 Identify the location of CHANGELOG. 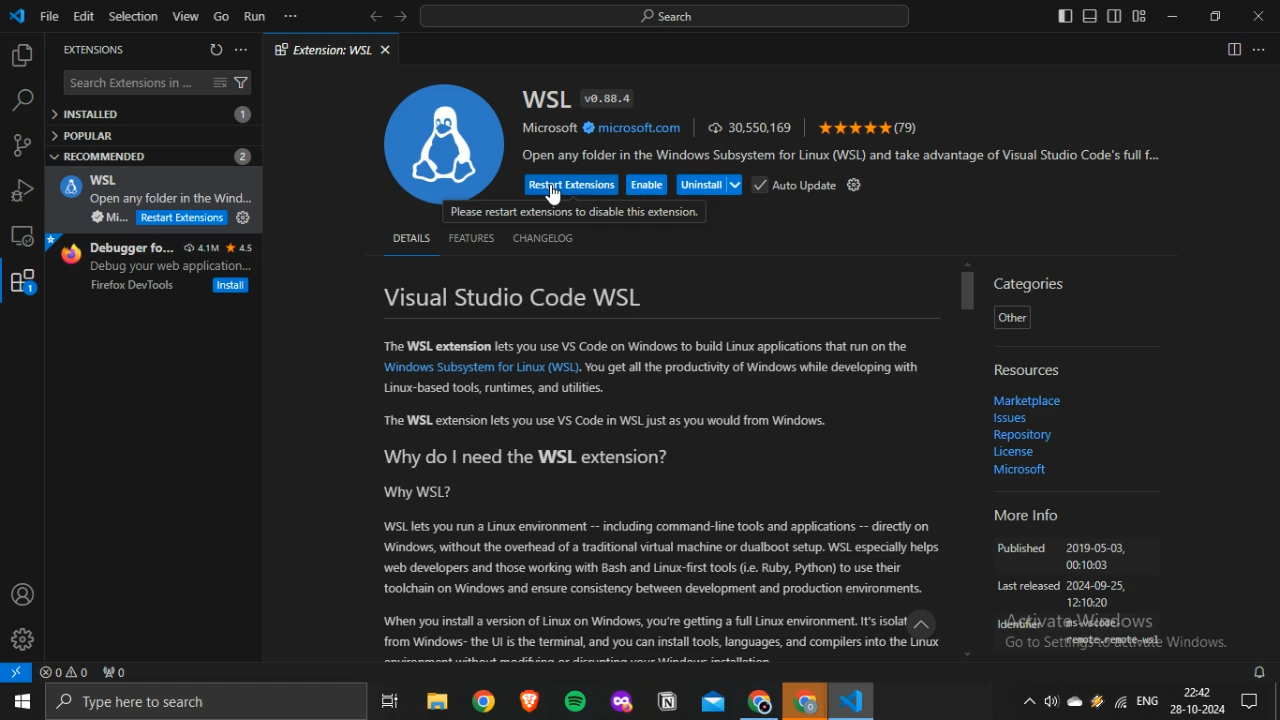
(544, 238).